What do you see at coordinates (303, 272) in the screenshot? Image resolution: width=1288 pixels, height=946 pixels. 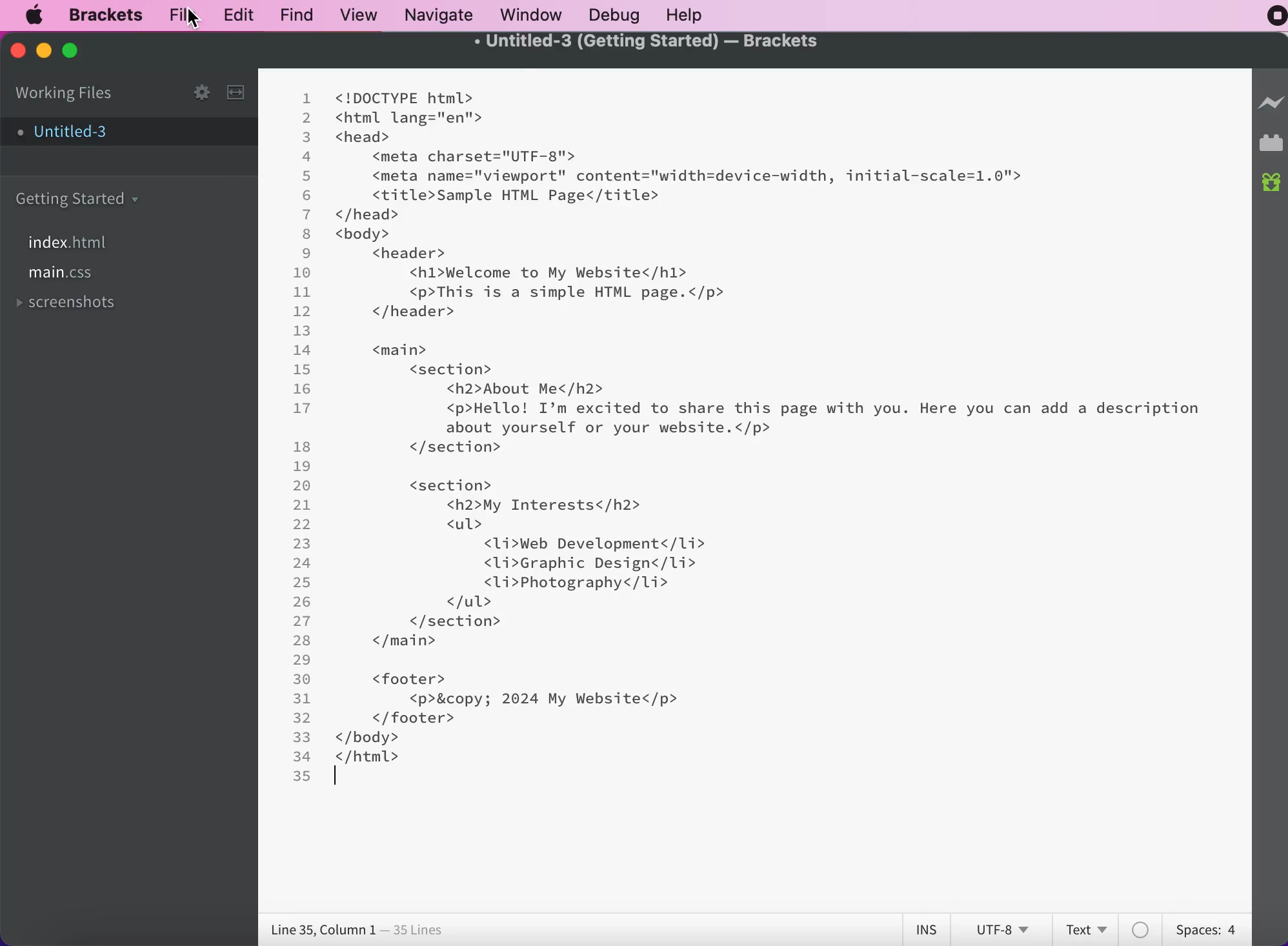 I see `10` at bounding box center [303, 272].